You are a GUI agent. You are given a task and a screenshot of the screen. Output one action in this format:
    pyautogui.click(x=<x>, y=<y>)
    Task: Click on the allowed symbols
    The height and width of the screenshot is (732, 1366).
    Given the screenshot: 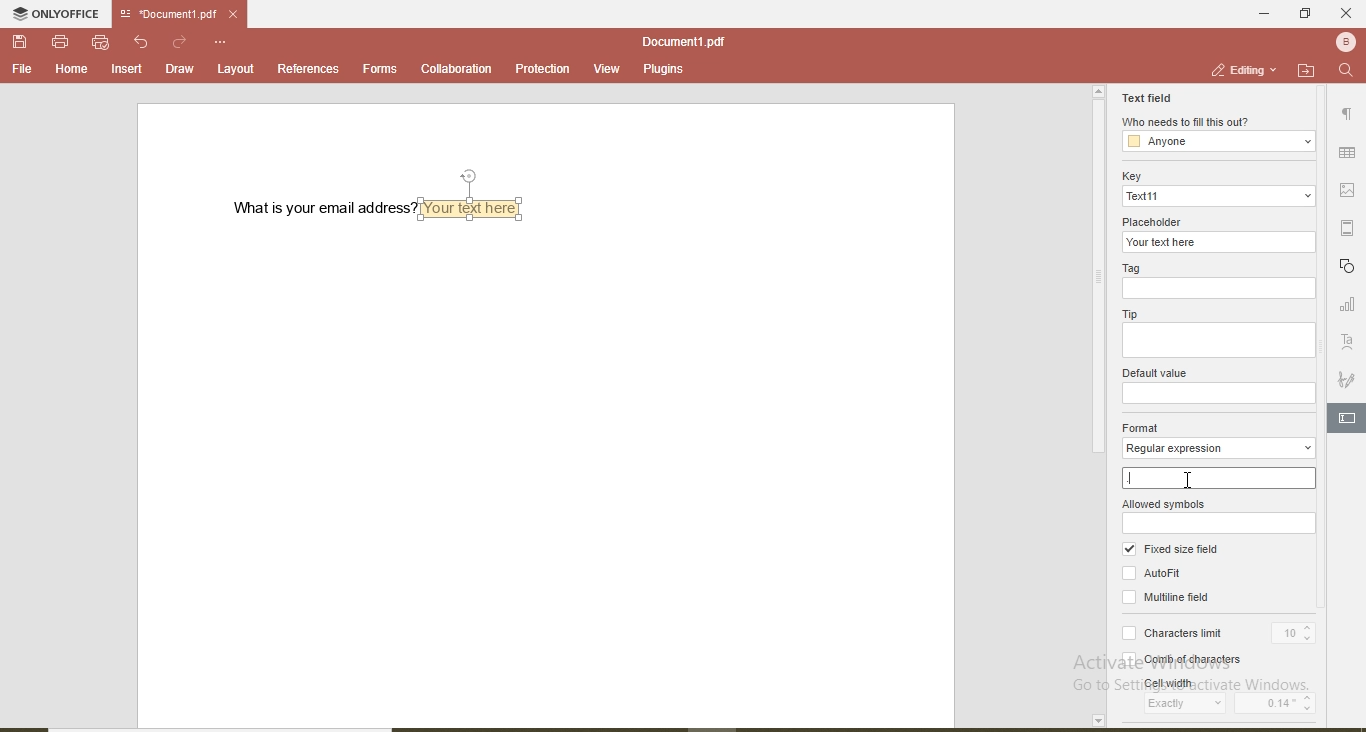 What is the action you would take?
    pyautogui.click(x=1165, y=502)
    